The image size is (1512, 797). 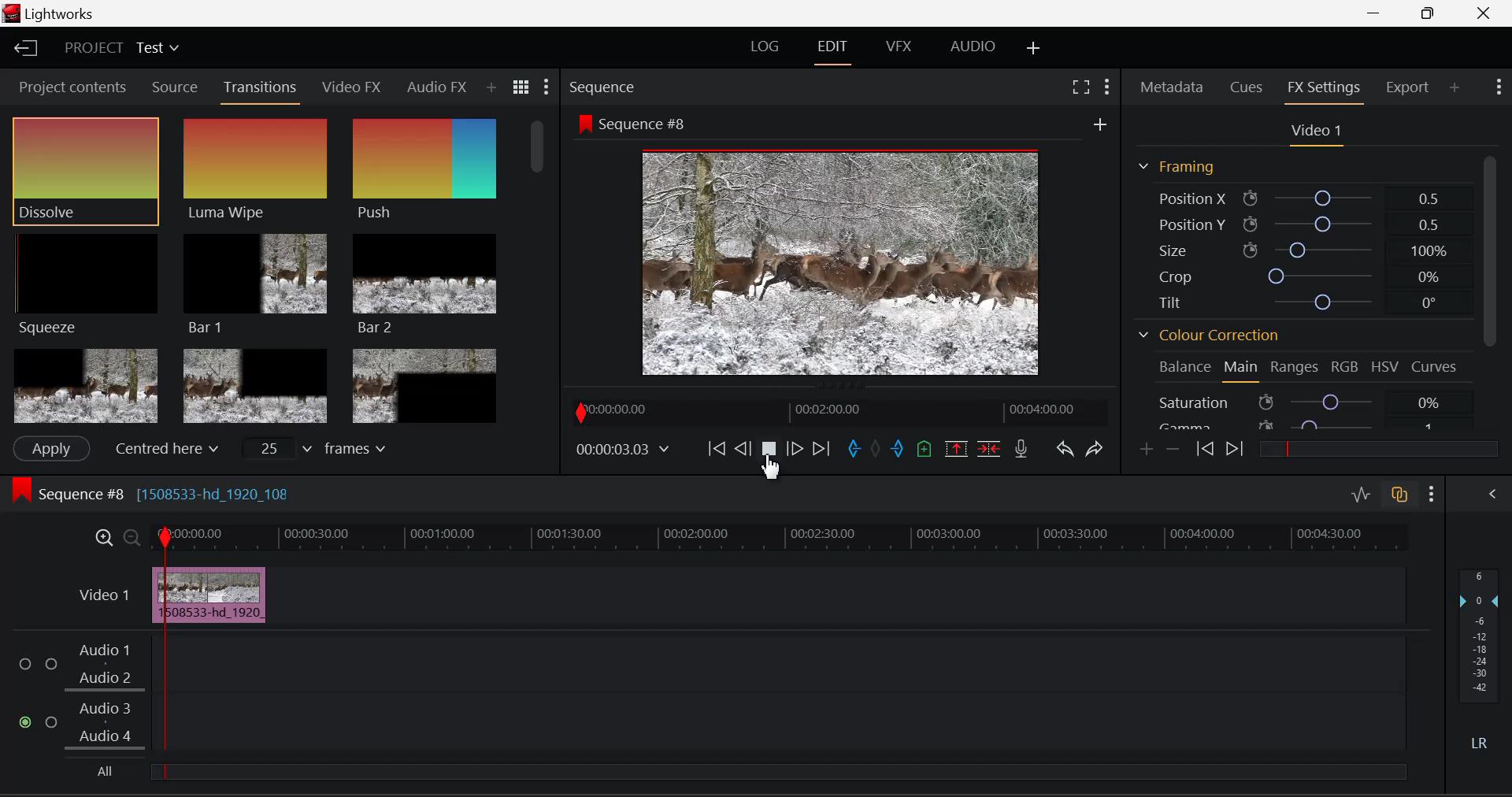 I want to click on Audio FX, so click(x=437, y=87).